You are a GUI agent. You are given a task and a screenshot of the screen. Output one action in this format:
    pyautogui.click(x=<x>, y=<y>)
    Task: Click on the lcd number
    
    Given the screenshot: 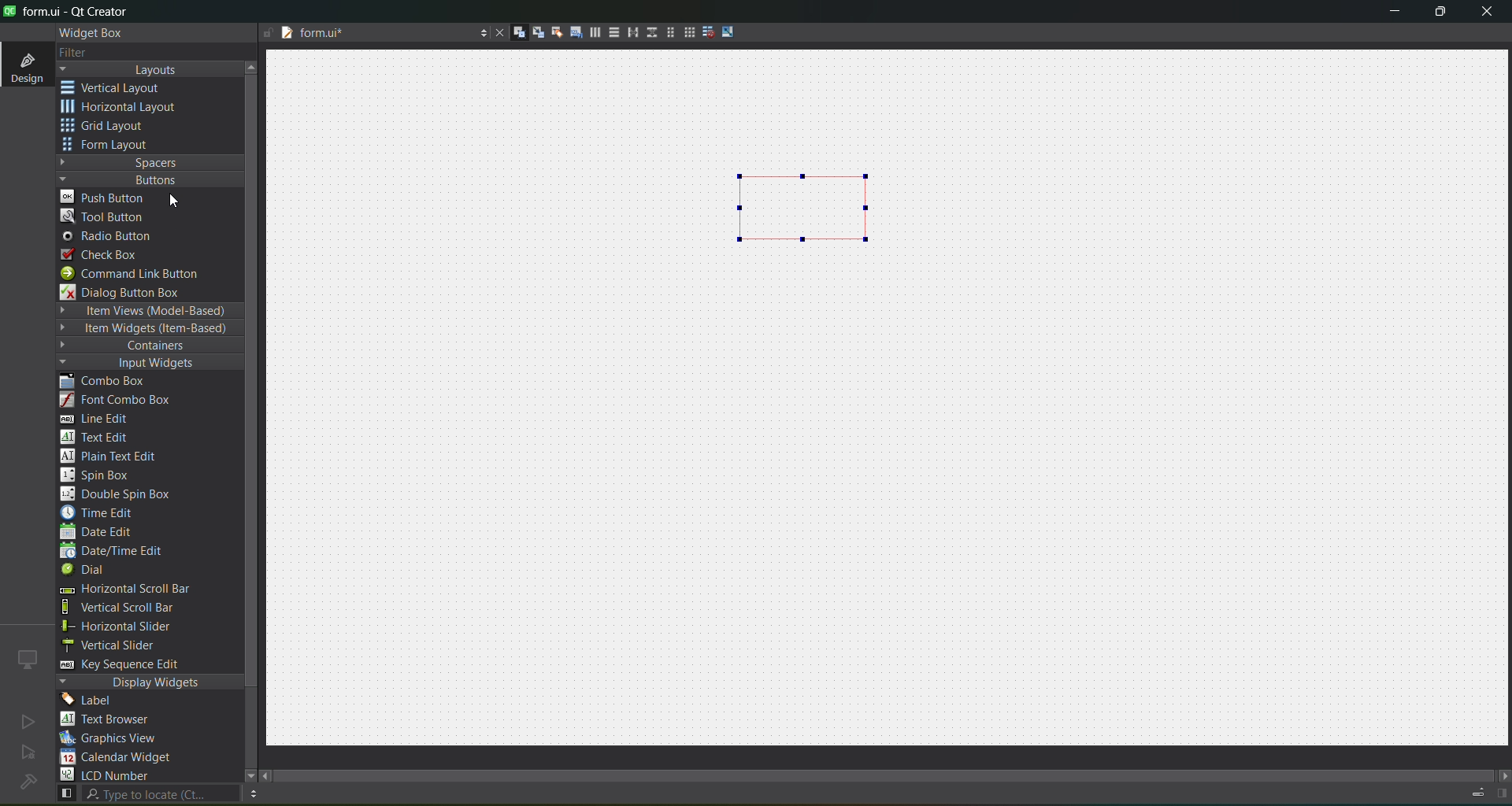 What is the action you would take?
    pyautogui.click(x=109, y=775)
    